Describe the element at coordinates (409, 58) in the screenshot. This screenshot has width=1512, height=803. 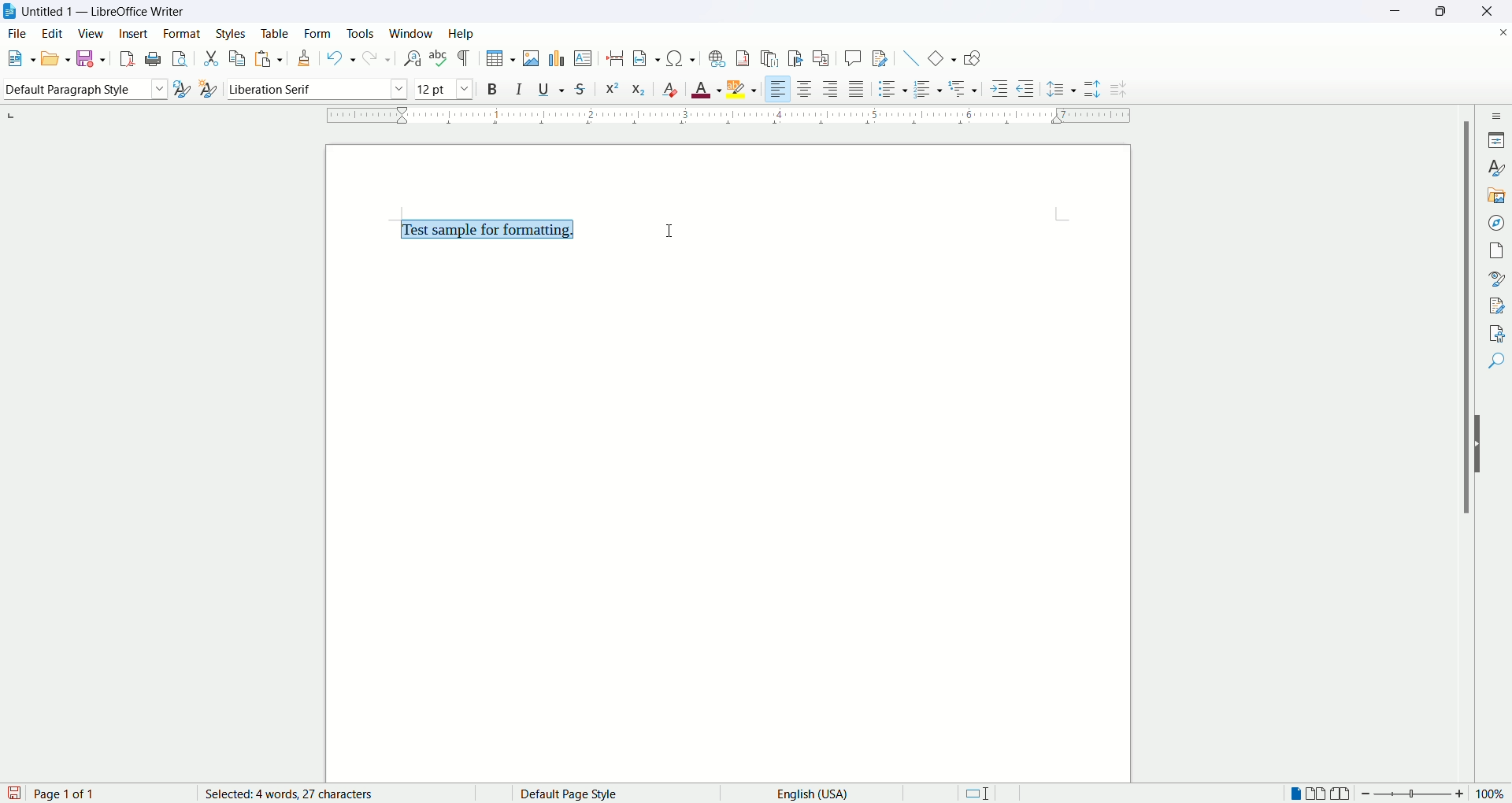
I see `find and replace` at that location.